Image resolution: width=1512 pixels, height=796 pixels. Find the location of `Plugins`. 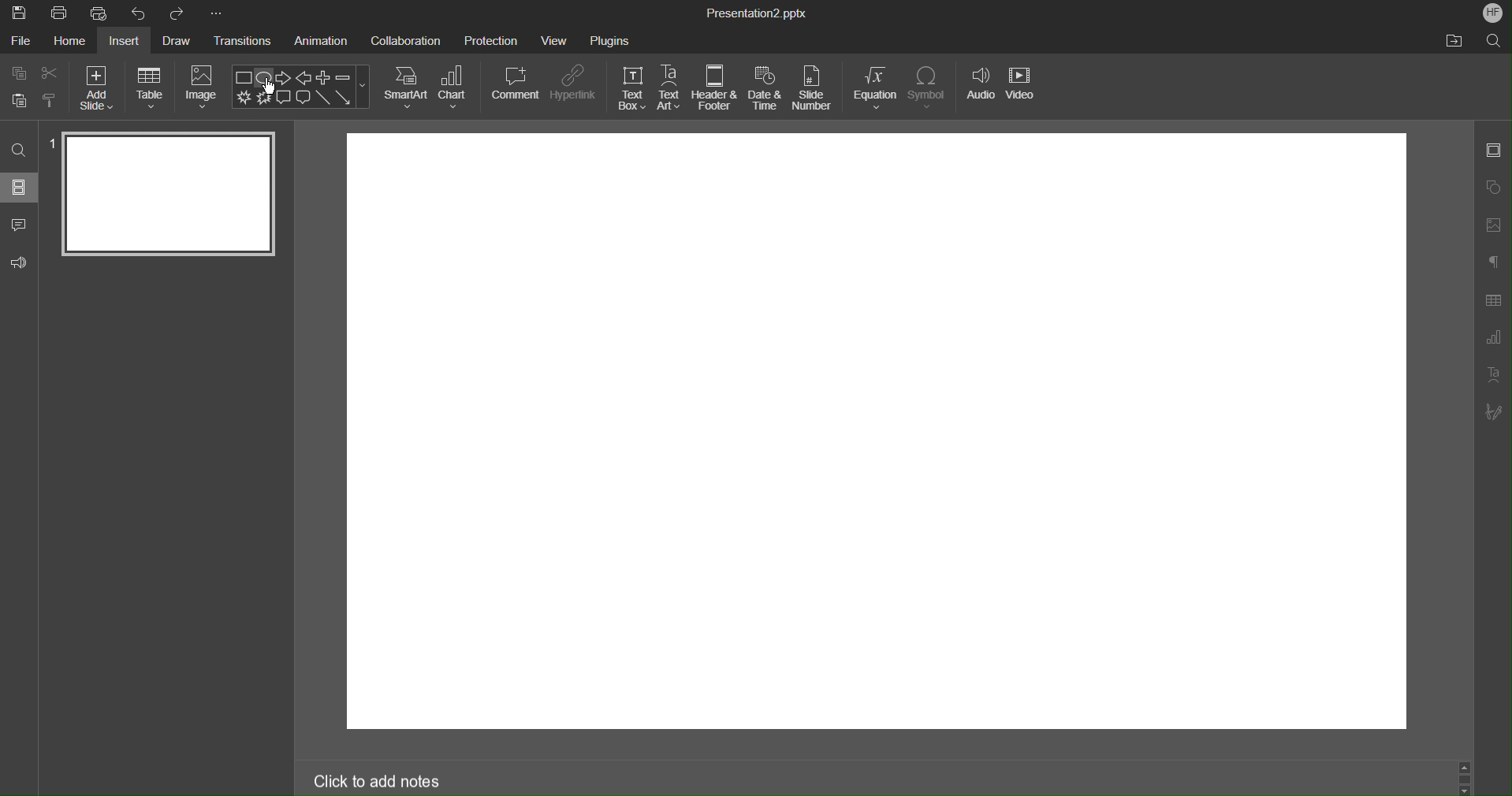

Plugins is located at coordinates (610, 38).